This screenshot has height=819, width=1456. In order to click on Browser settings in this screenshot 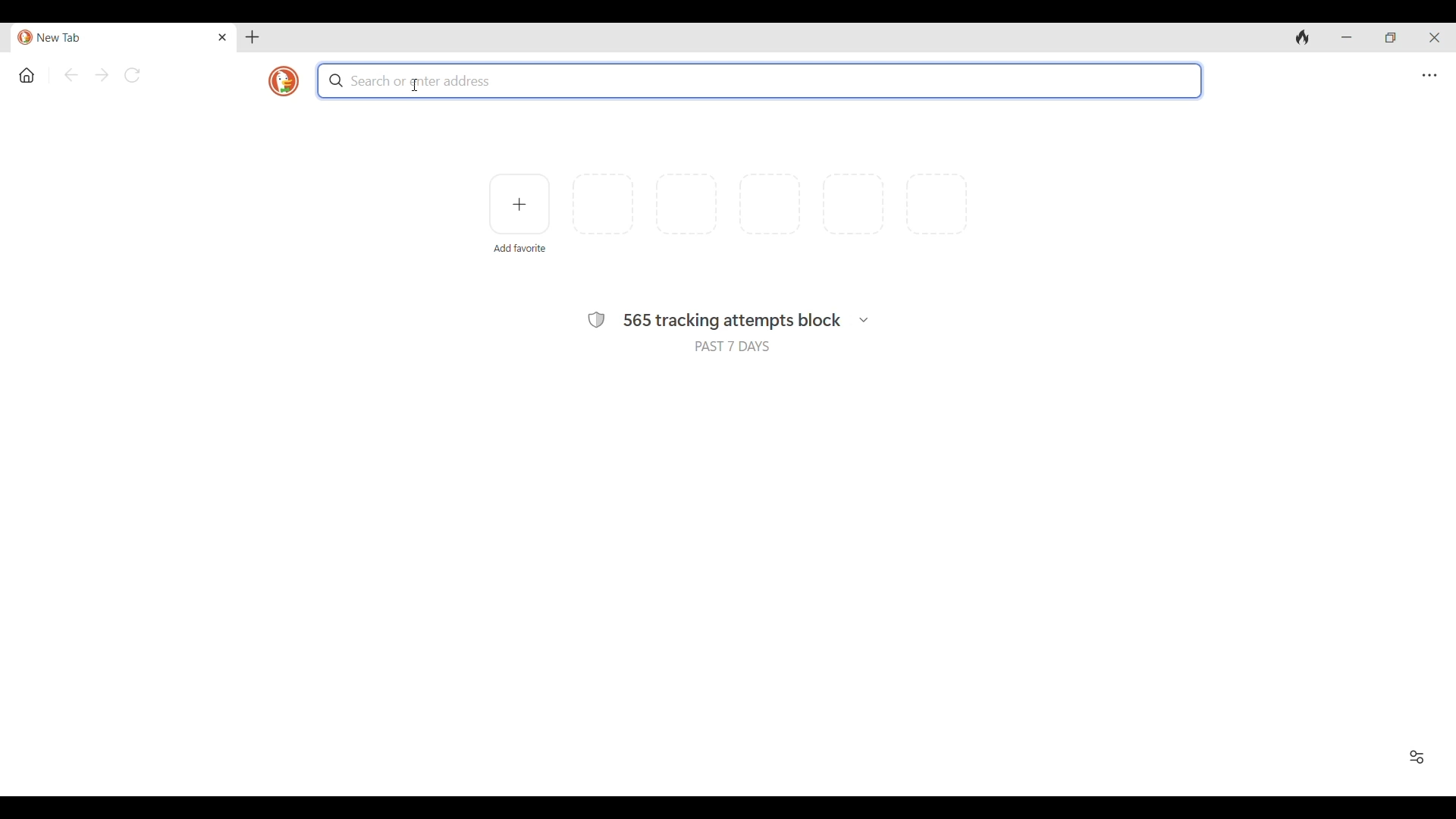, I will do `click(1429, 76)`.